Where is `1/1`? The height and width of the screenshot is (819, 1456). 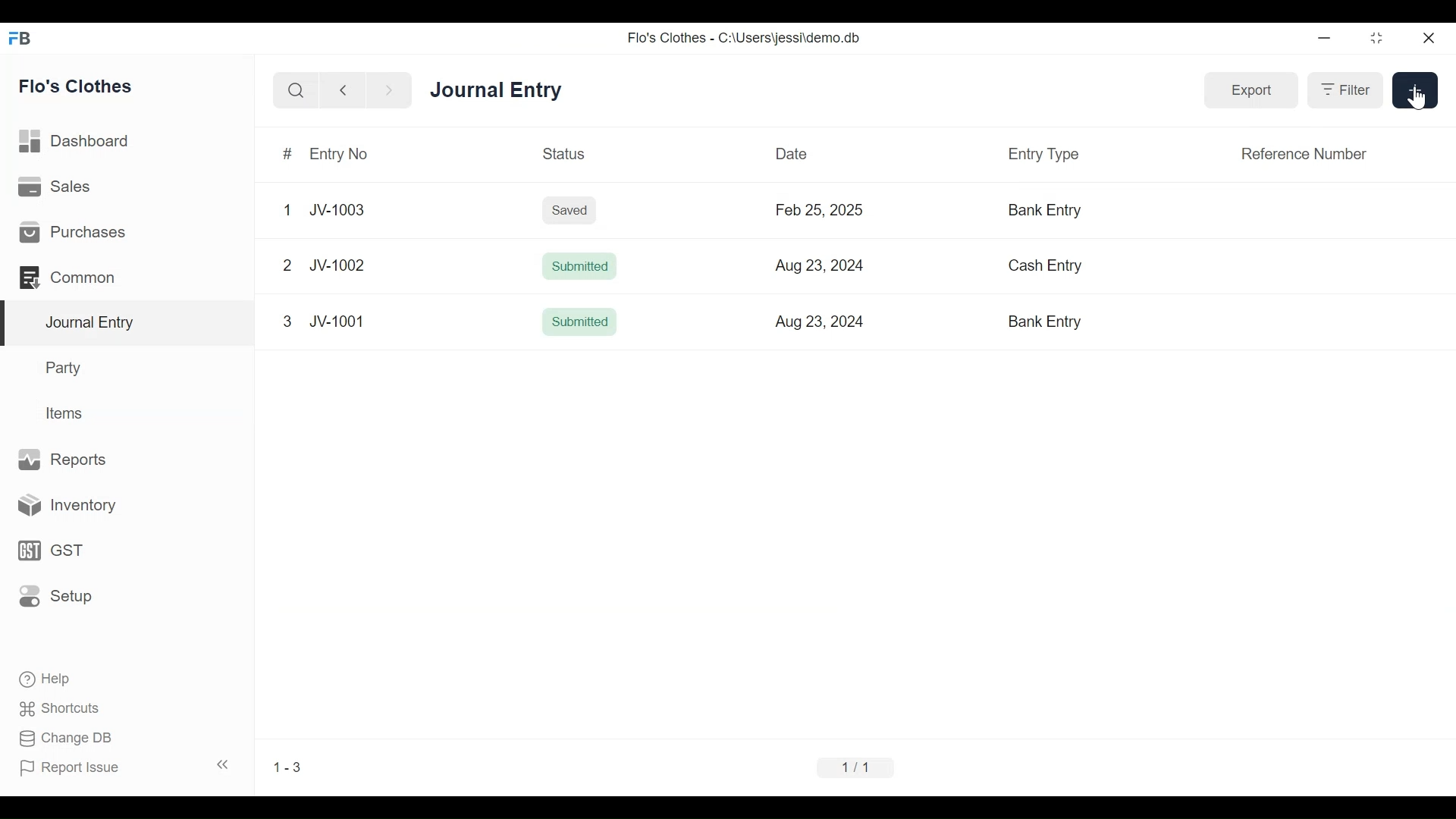
1/1 is located at coordinates (854, 767).